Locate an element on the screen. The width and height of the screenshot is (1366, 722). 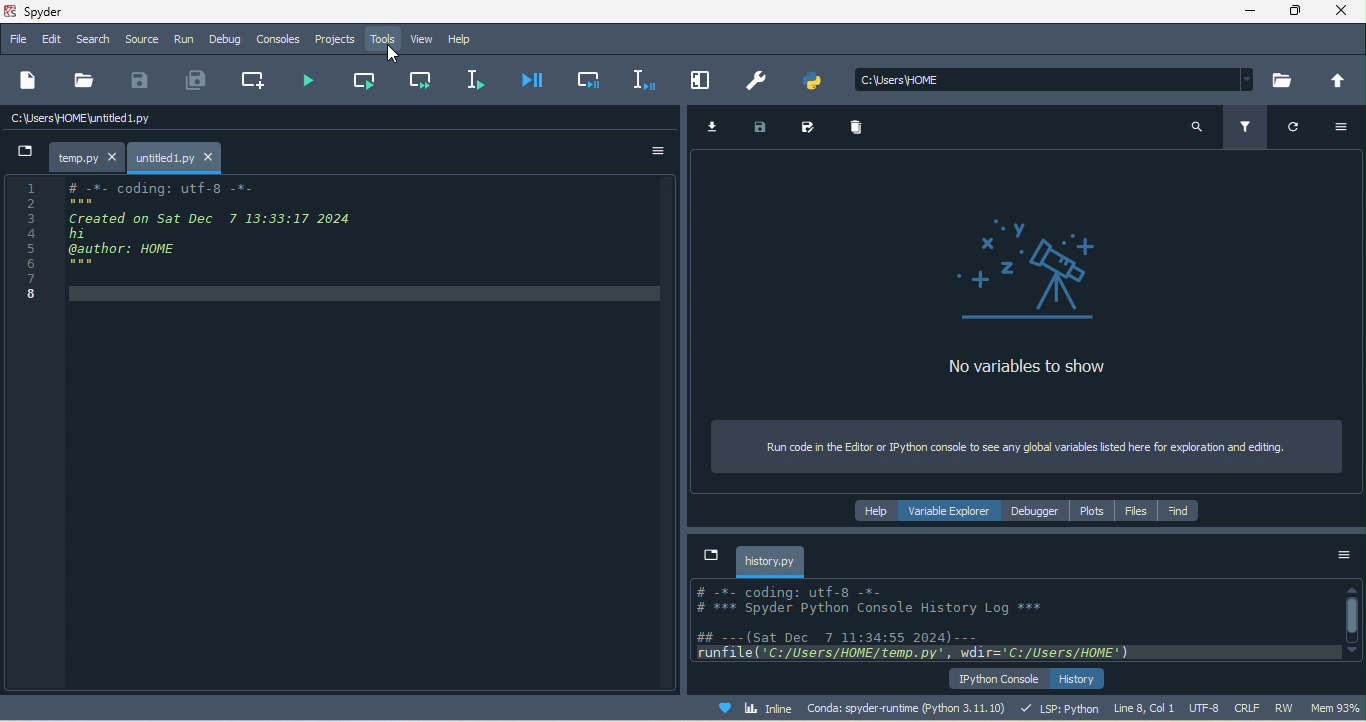
save is located at coordinates (764, 128).